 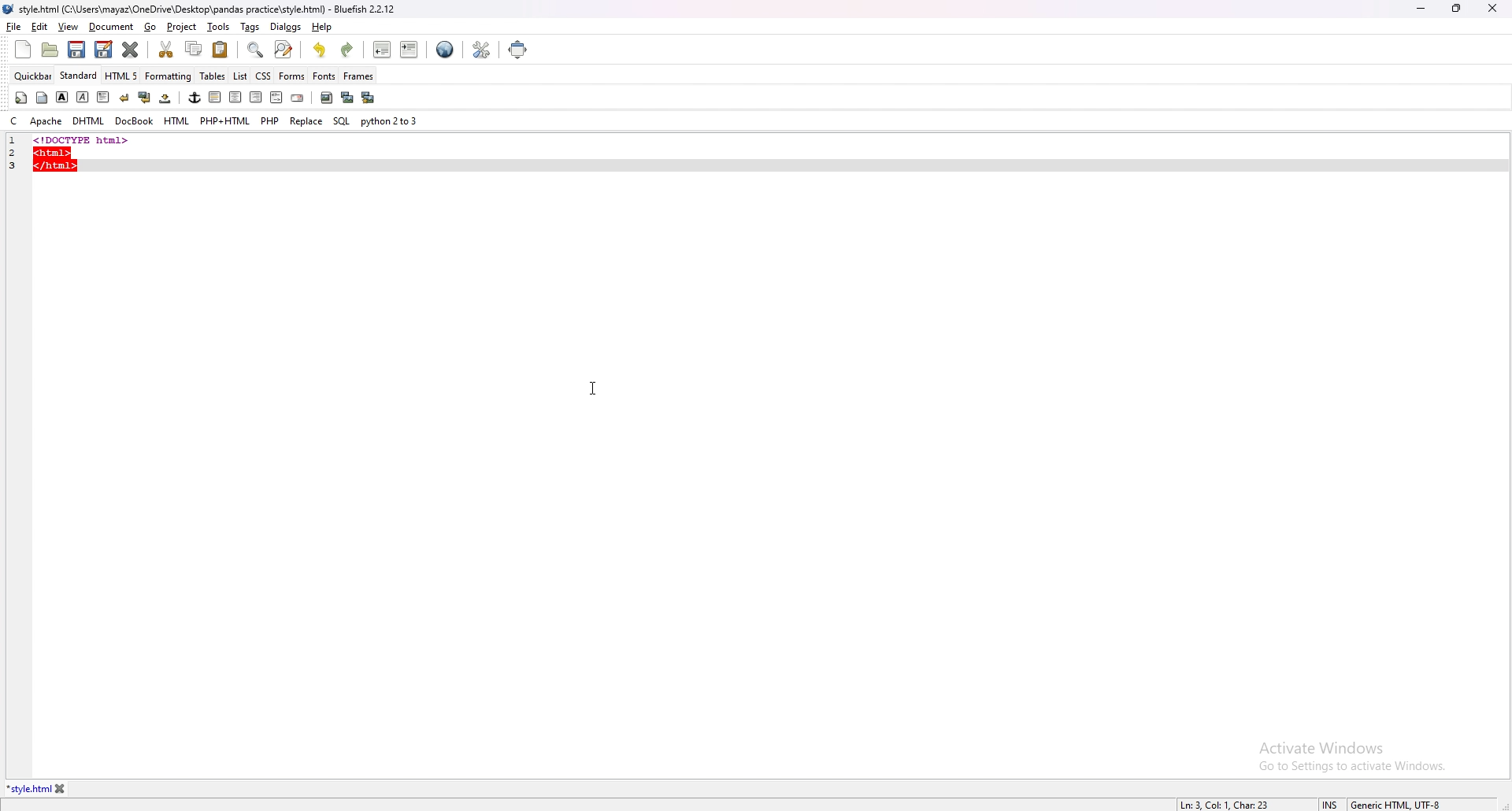 I want to click on italic, so click(x=83, y=96).